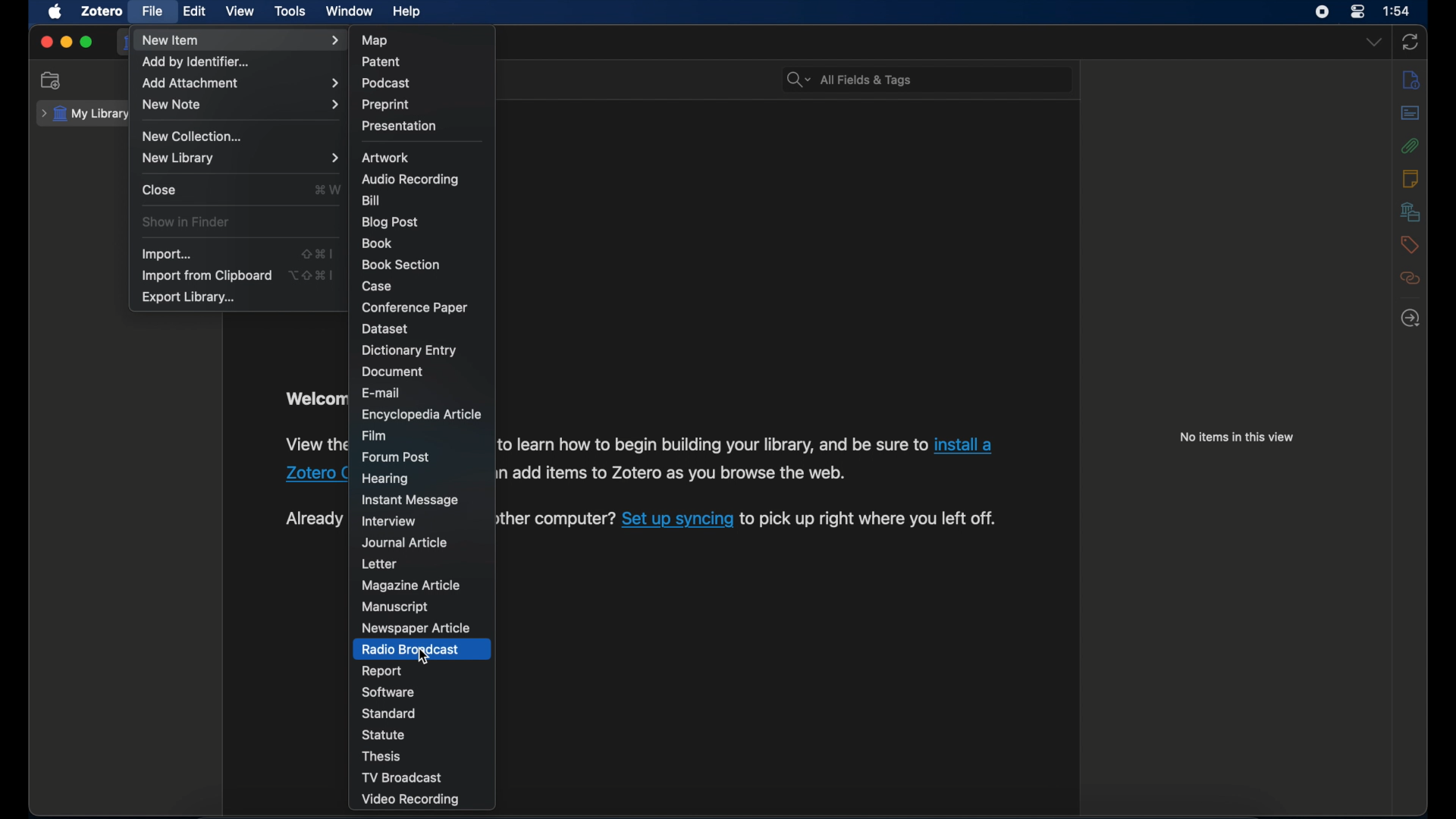 Image resolution: width=1456 pixels, height=819 pixels. Describe the element at coordinates (238, 158) in the screenshot. I see `new library` at that location.